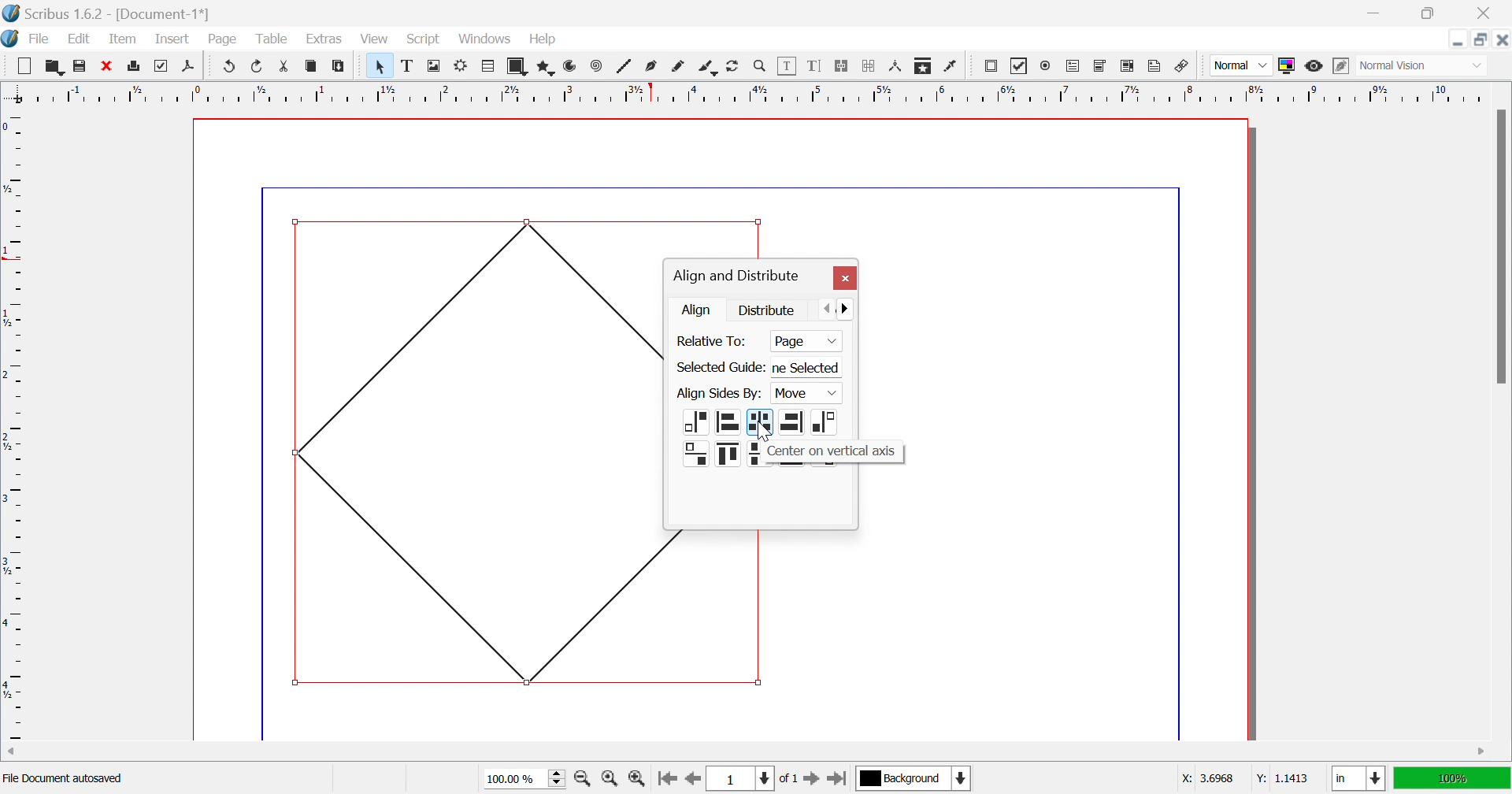  I want to click on Save, so click(76, 64).